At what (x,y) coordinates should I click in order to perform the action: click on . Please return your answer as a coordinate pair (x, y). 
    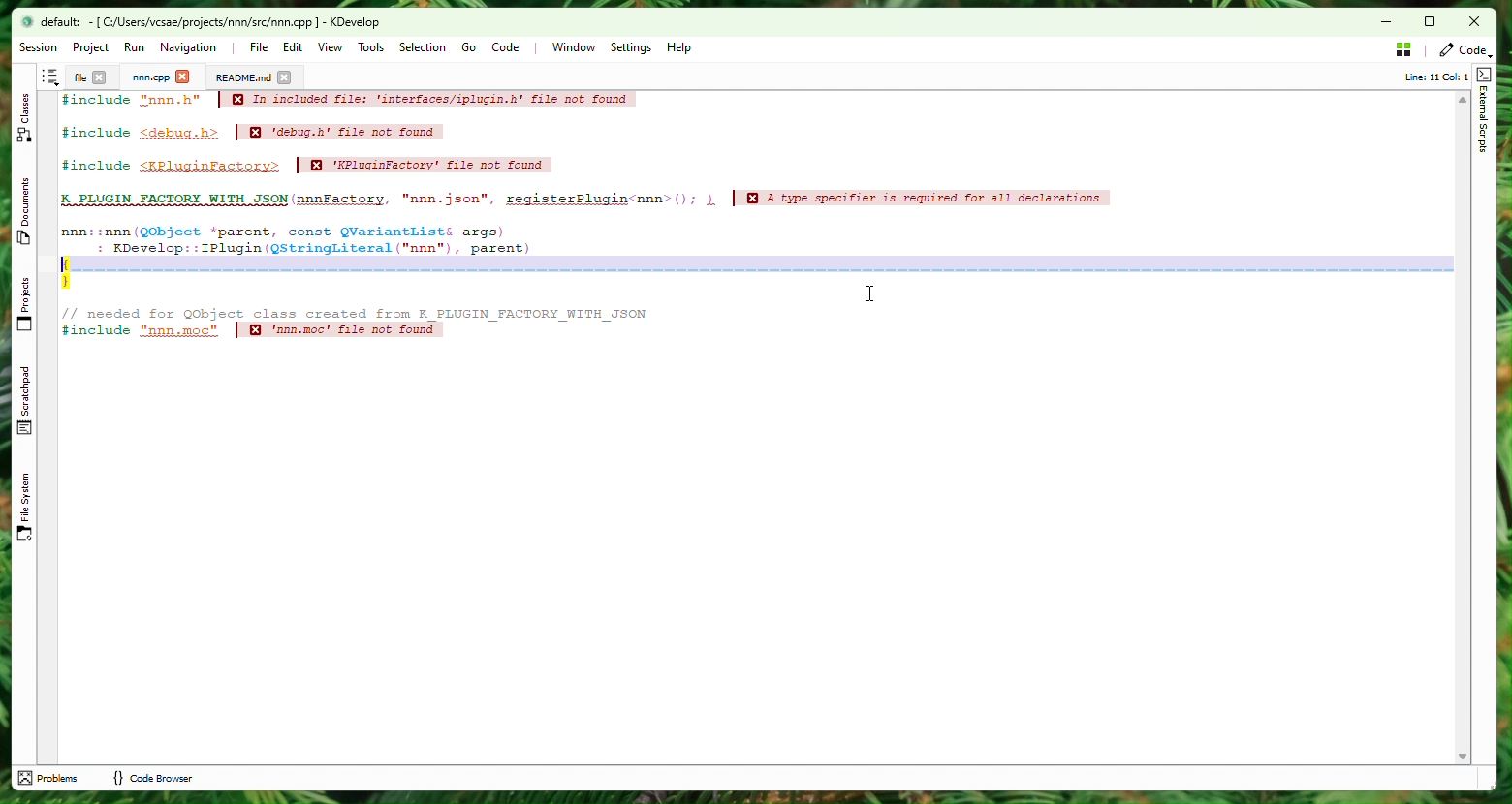
    Looking at the image, I should click on (1415, 77).